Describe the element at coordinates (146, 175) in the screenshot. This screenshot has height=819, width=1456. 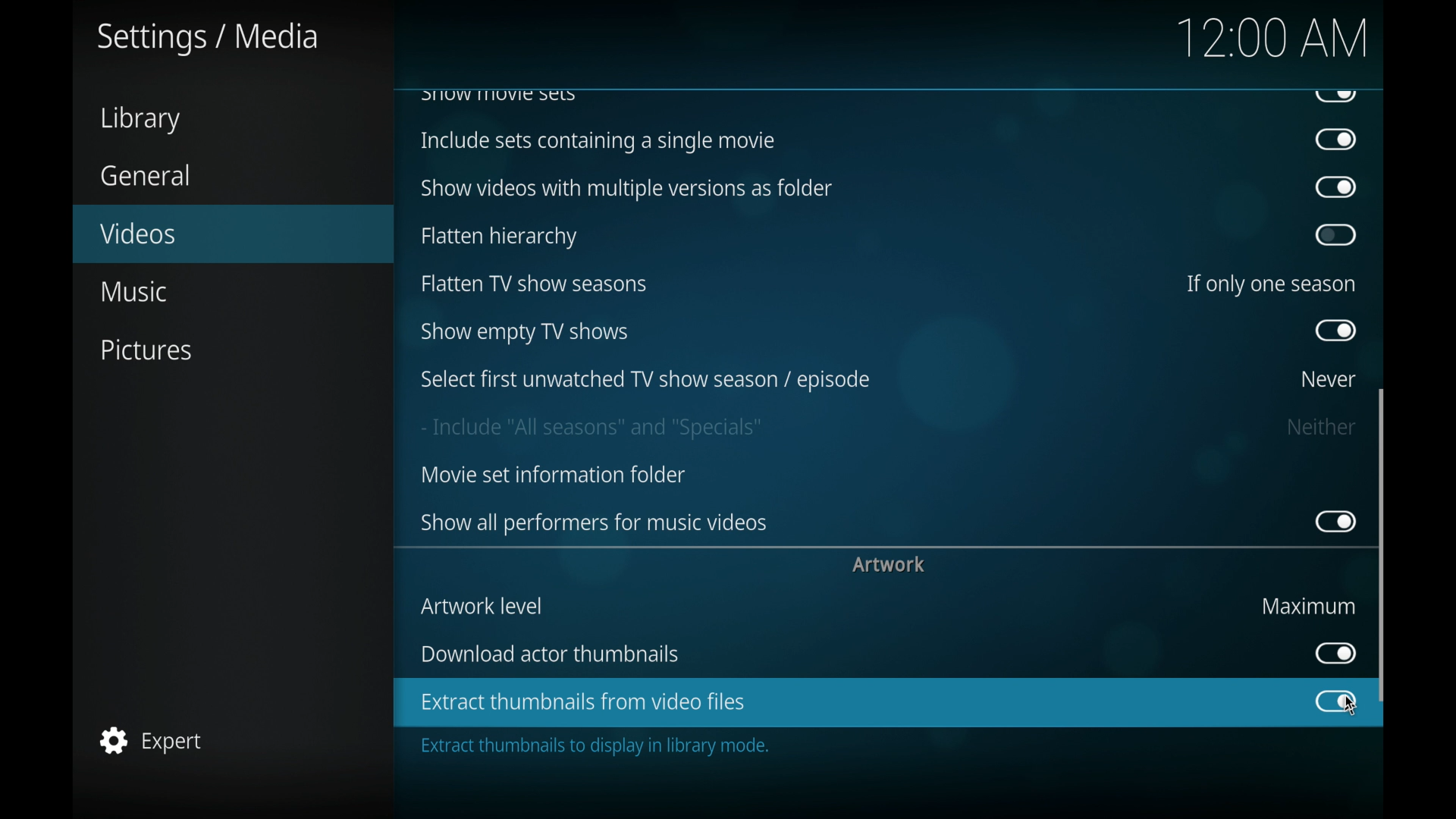
I see `general` at that location.